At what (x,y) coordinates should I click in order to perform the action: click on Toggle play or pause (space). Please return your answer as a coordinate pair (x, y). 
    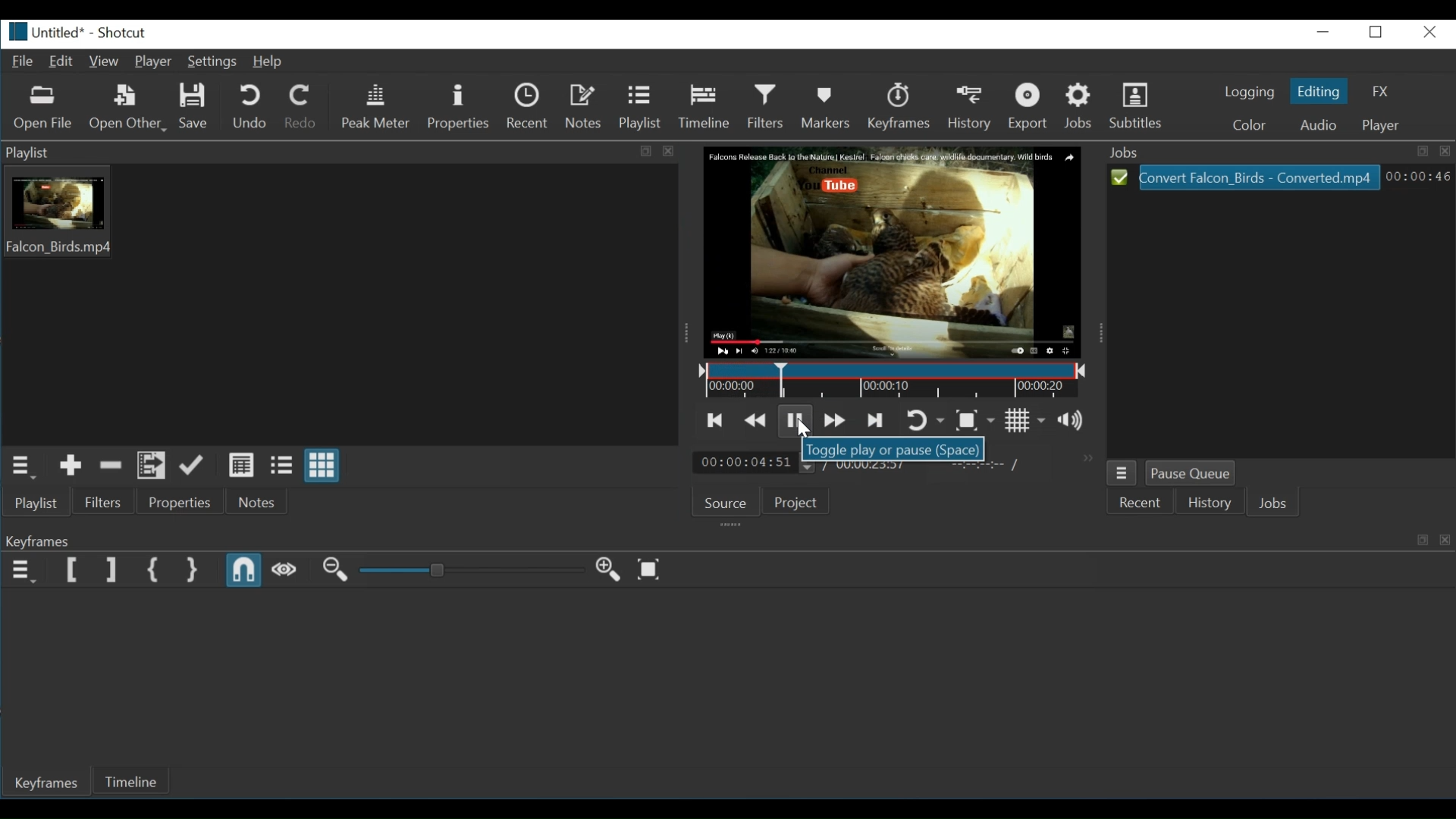
    Looking at the image, I should click on (795, 420).